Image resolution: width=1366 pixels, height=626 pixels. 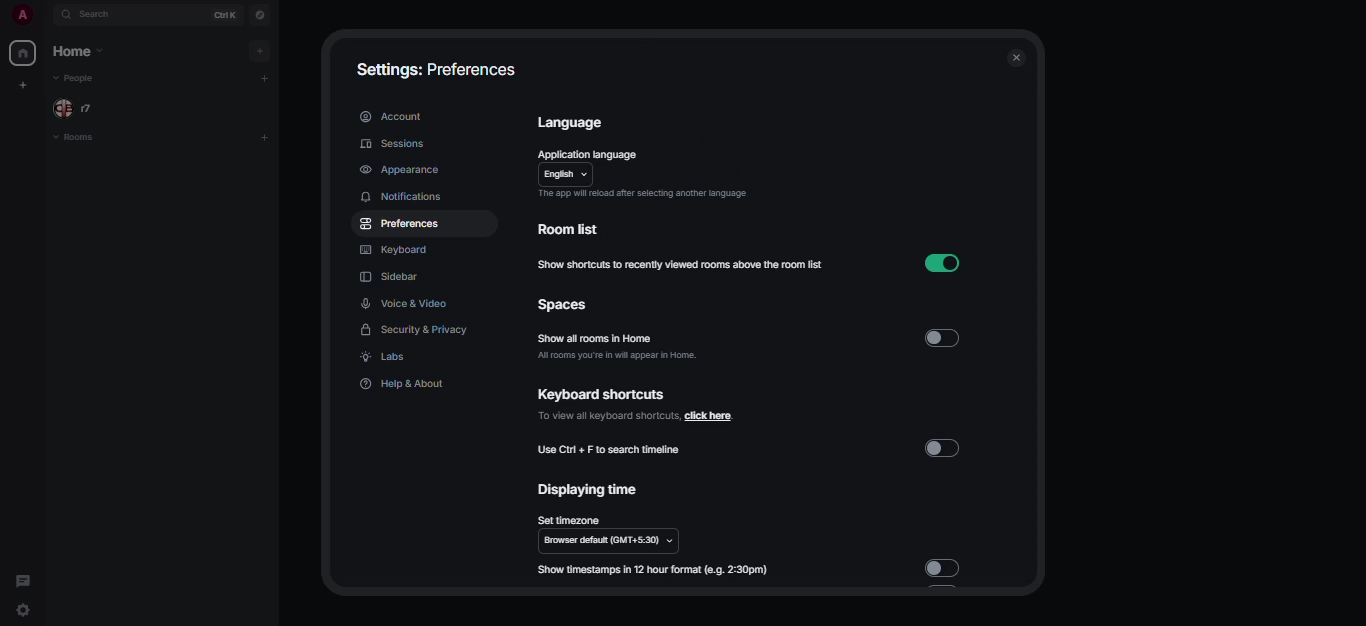 I want to click on expand, so click(x=46, y=15).